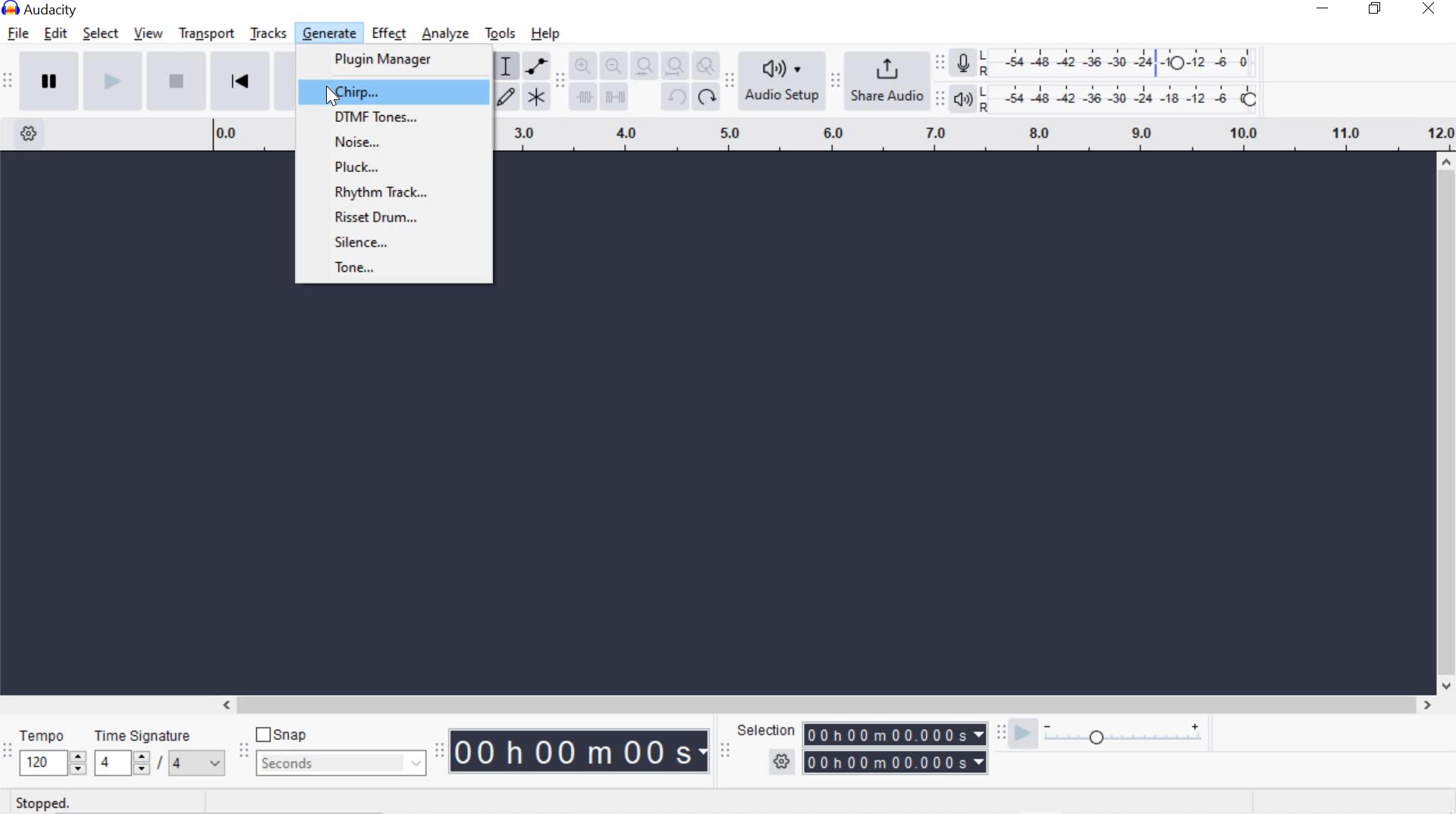  What do you see at coordinates (1122, 738) in the screenshot?
I see `Playback speed` at bounding box center [1122, 738].